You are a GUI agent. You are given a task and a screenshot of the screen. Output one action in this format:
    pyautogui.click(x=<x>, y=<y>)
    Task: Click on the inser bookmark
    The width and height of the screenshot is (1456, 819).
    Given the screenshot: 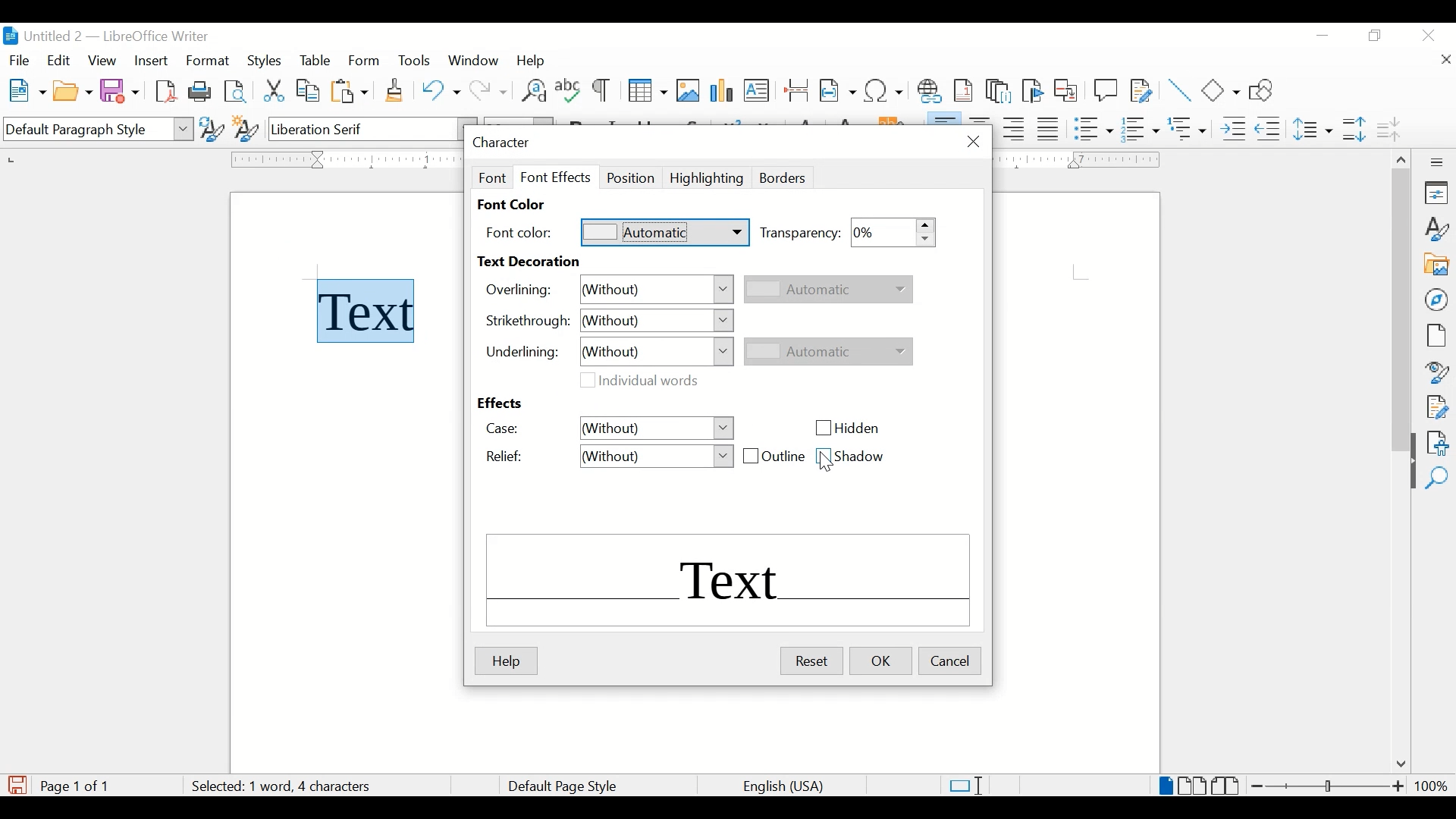 What is the action you would take?
    pyautogui.click(x=1032, y=91)
    